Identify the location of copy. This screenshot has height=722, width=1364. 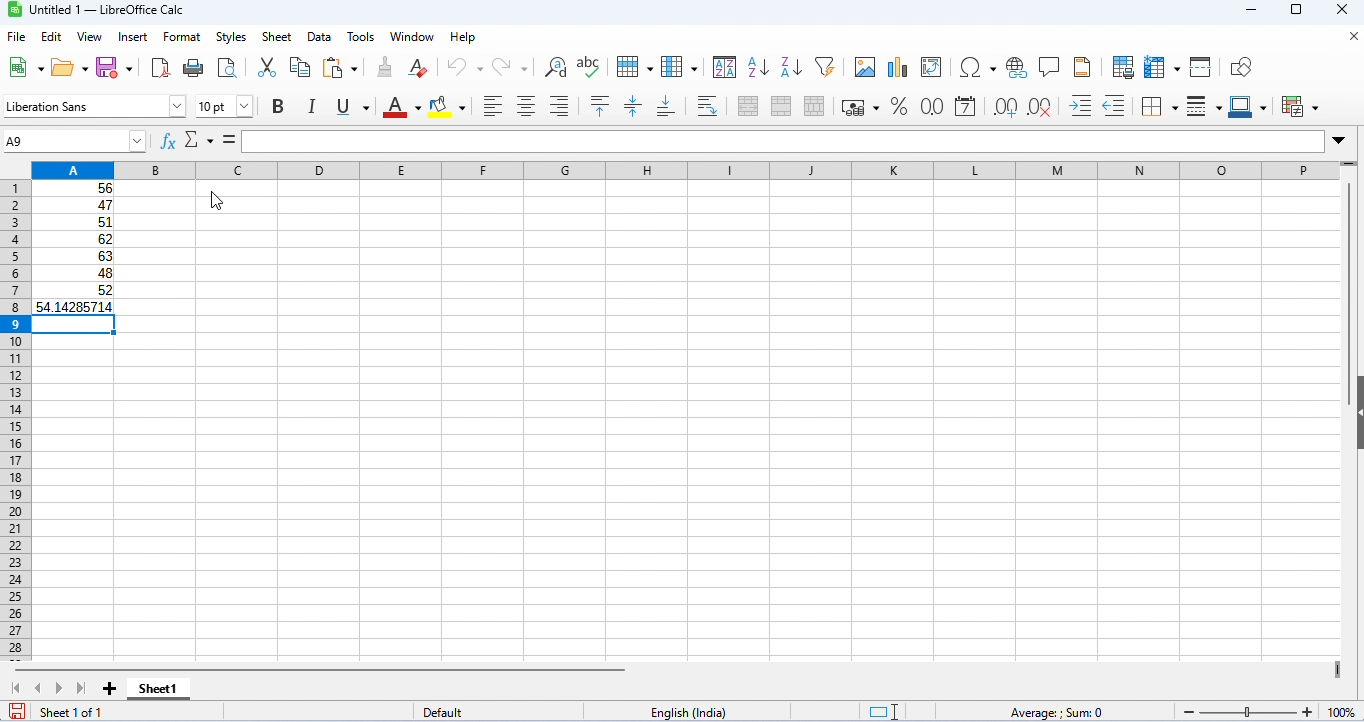
(300, 67).